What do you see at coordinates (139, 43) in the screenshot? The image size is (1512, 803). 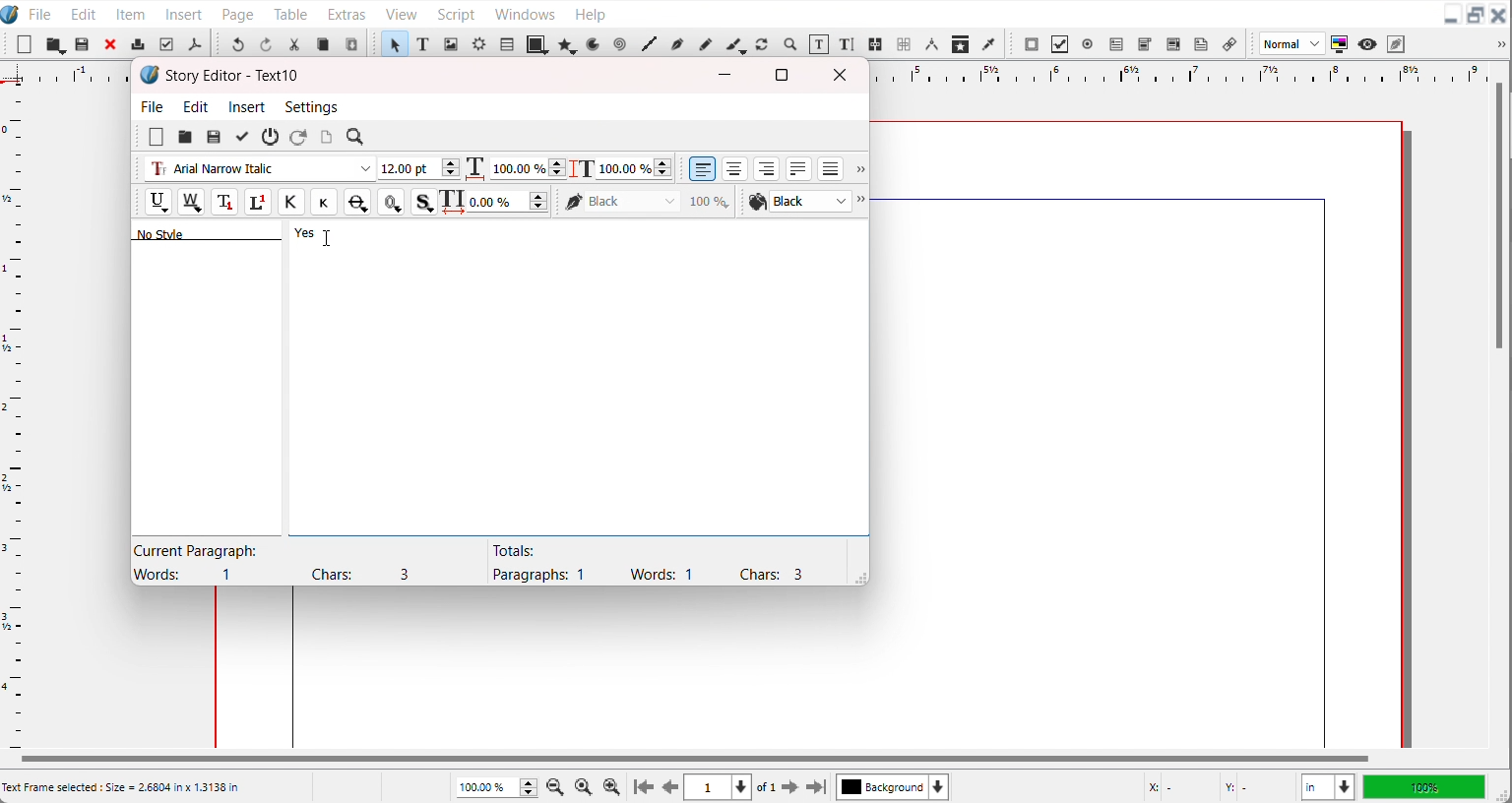 I see `Print` at bounding box center [139, 43].